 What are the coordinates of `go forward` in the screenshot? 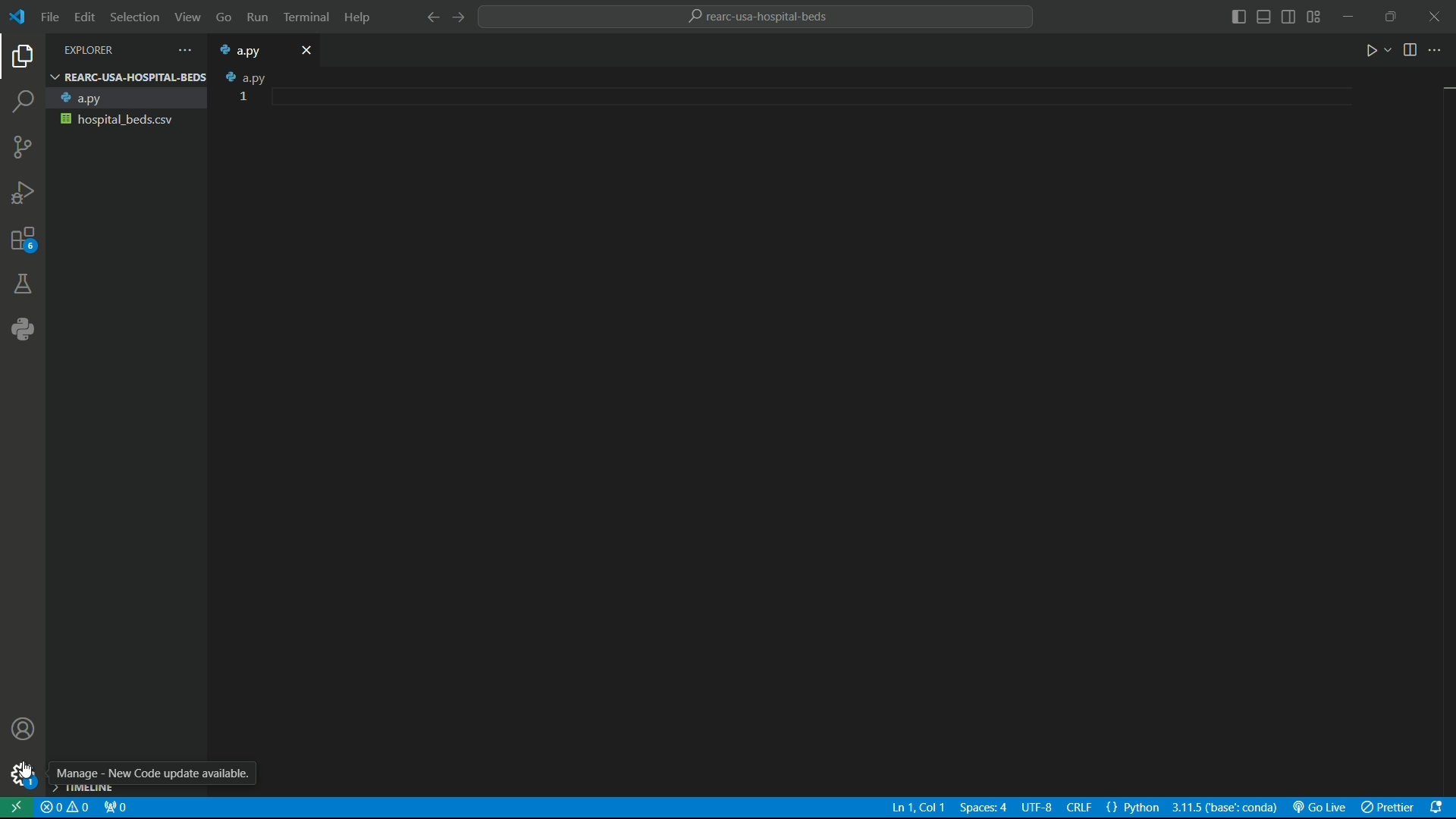 It's located at (458, 17).